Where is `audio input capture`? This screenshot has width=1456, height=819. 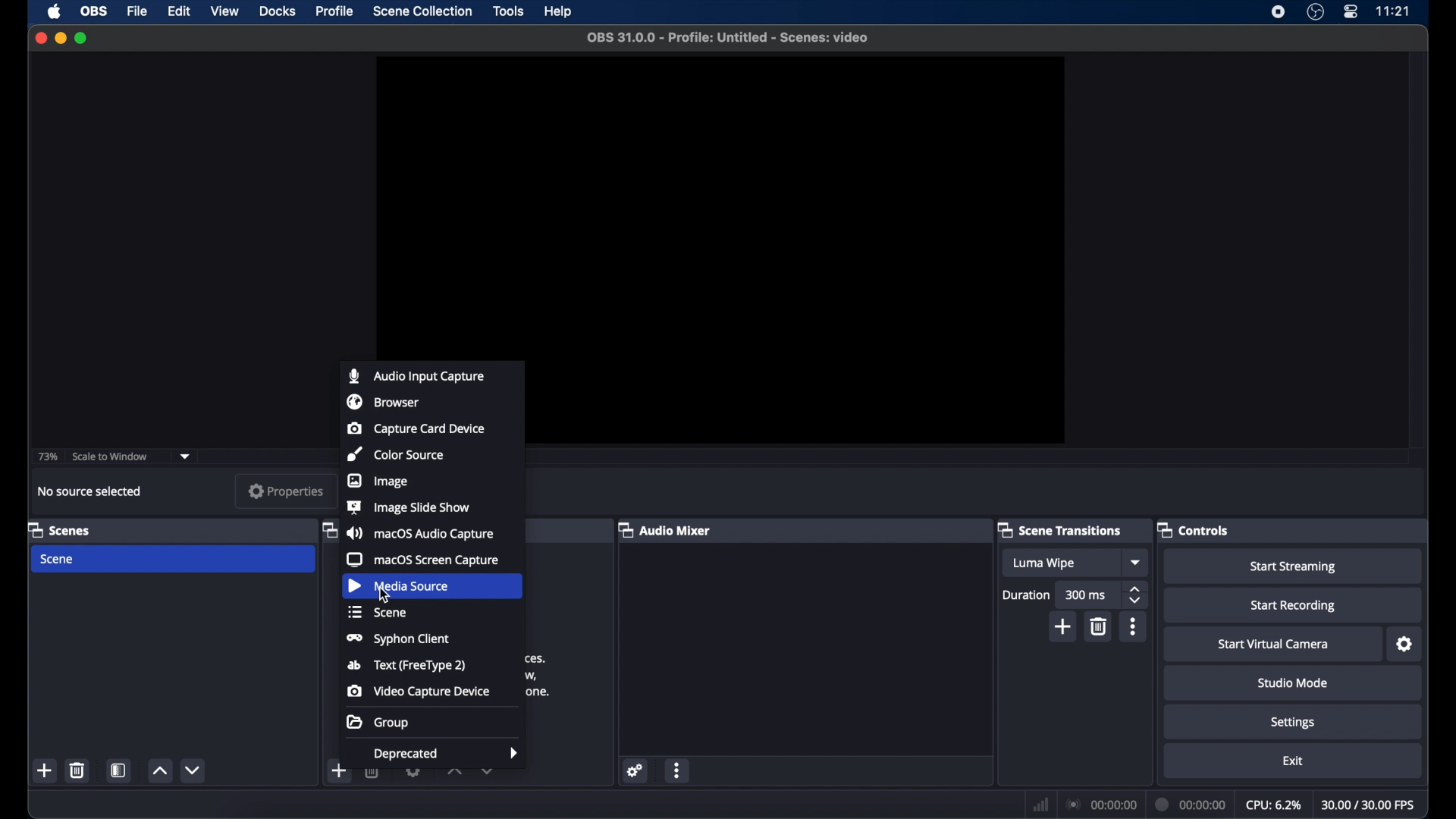
audio input capture is located at coordinates (416, 375).